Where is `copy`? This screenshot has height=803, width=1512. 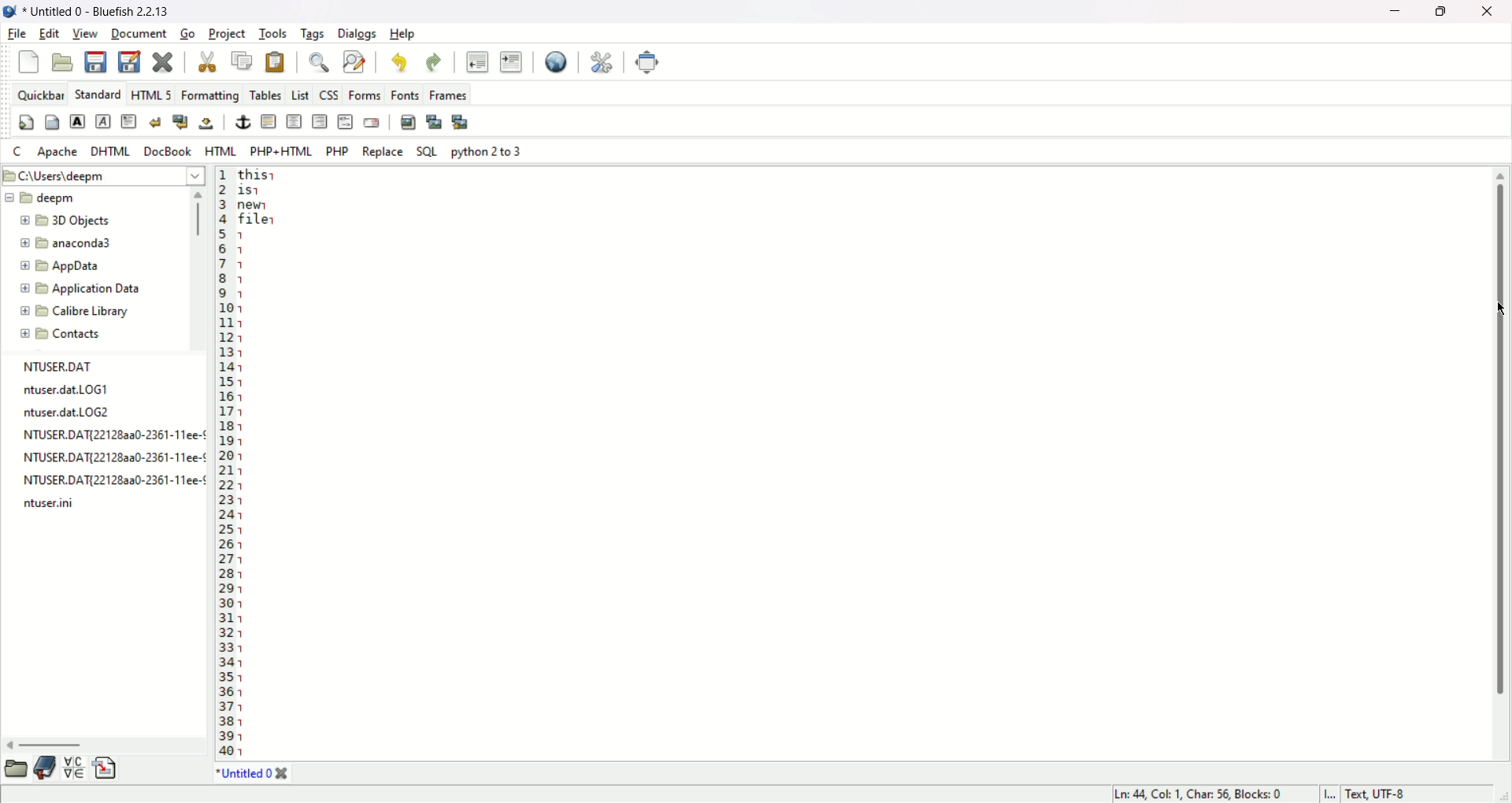 copy is located at coordinates (244, 61).